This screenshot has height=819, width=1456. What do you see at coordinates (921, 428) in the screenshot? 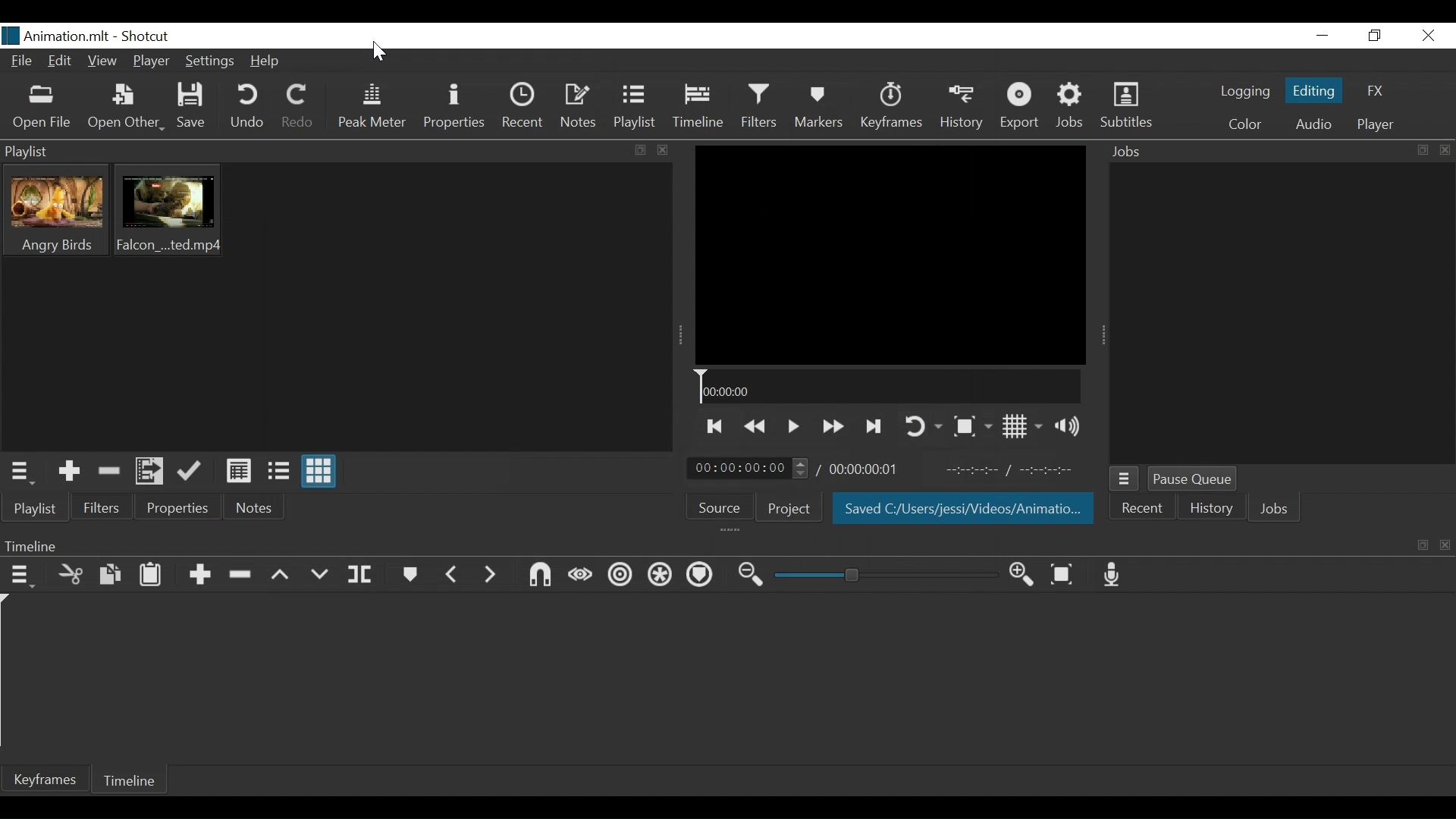
I see `Toggle player looping` at bounding box center [921, 428].